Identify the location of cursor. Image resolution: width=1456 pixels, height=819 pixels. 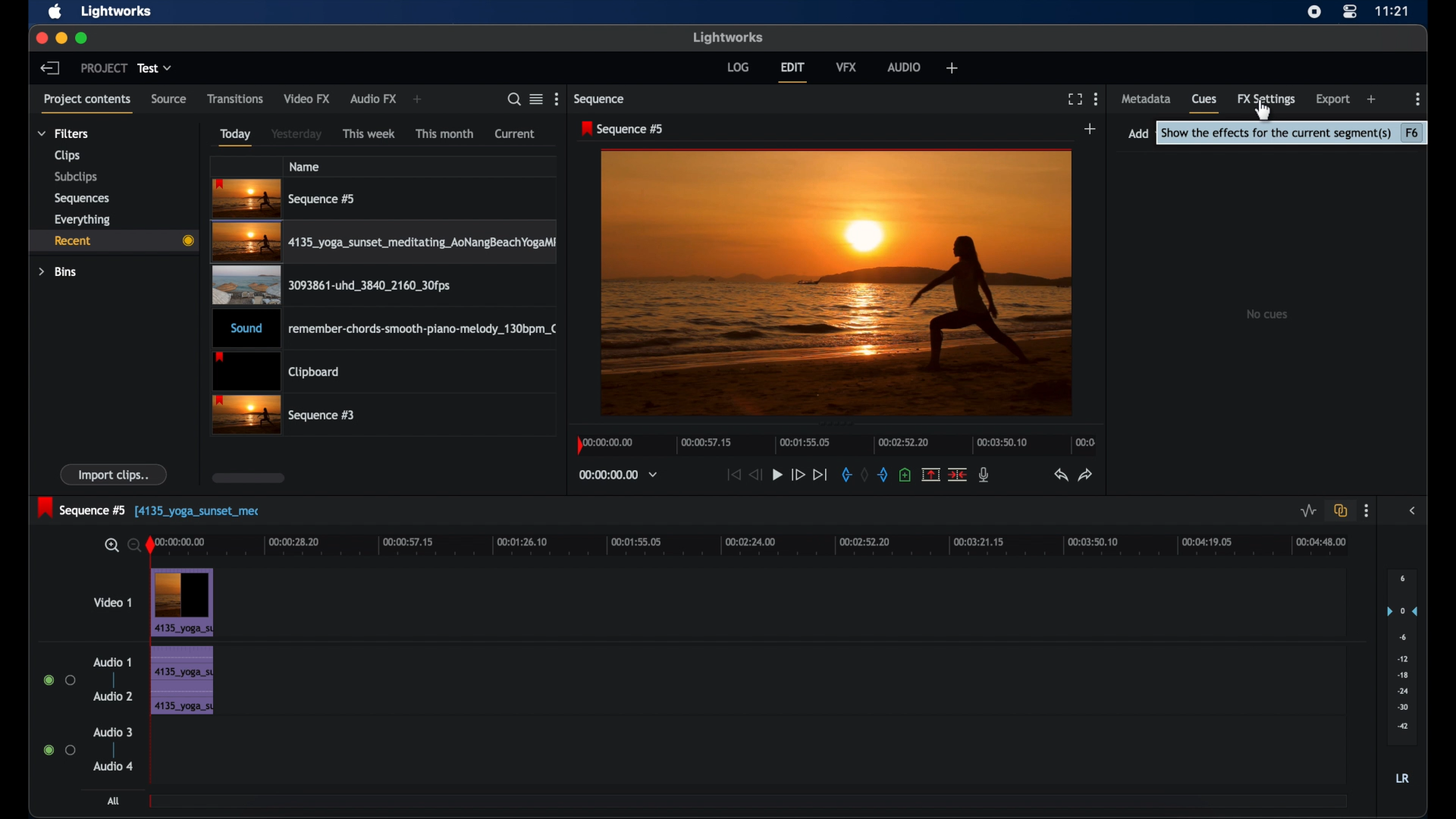
(1266, 106).